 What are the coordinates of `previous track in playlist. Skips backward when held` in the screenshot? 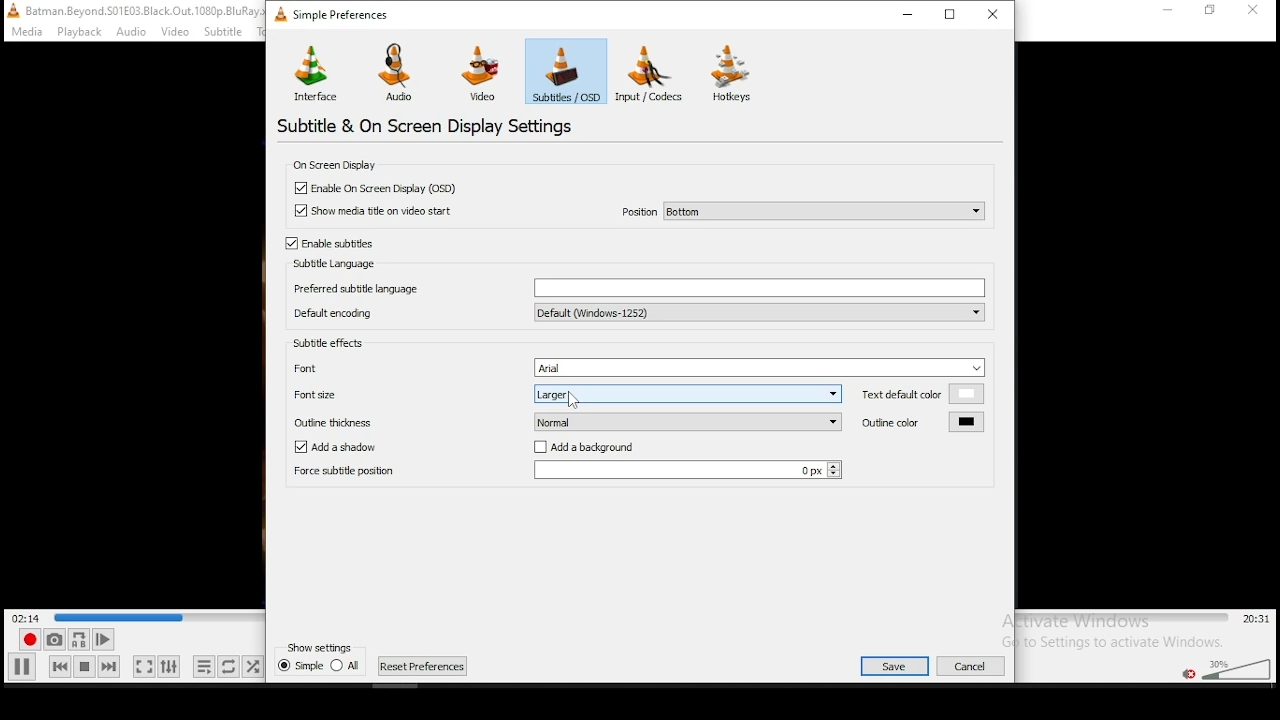 It's located at (59, 665).